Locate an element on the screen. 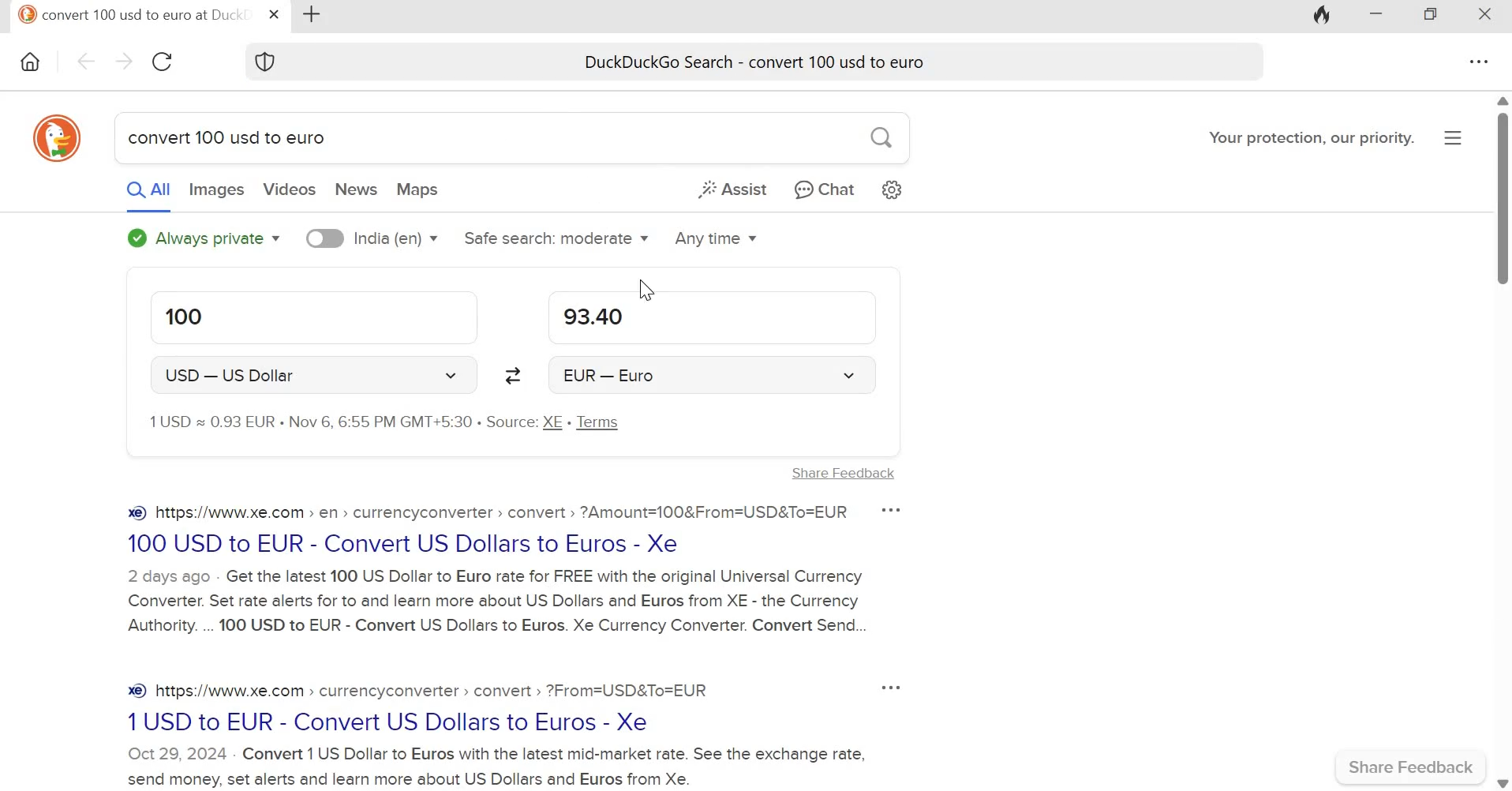  2 days ago. Get the latest 100 USD to Euro rate for FREE with the original Universal Currency is located at coordinates (498, 574).